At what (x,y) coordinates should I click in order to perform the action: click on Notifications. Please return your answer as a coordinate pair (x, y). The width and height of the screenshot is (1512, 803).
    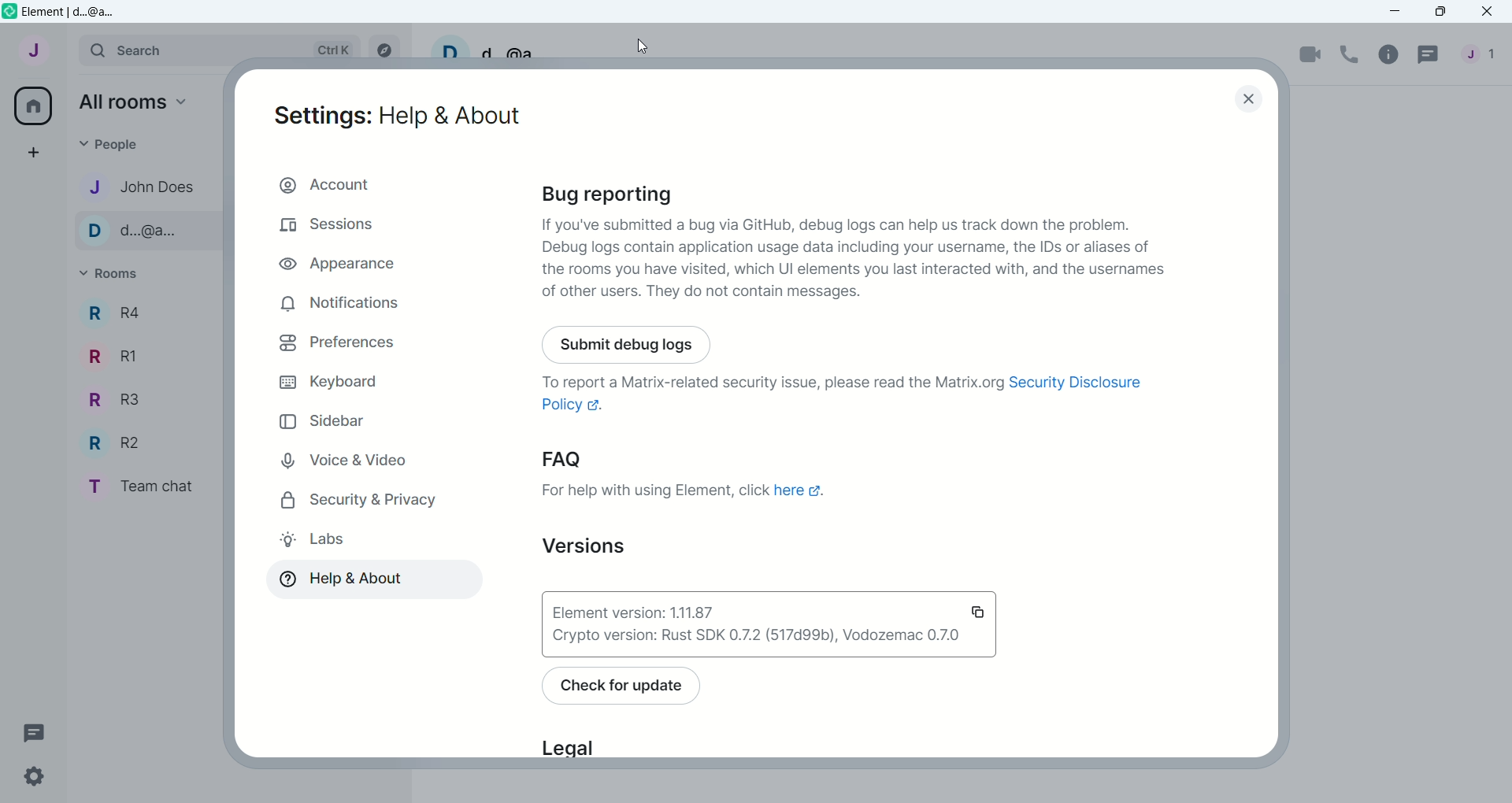
    Looking at the image, I should click on (342, 308).